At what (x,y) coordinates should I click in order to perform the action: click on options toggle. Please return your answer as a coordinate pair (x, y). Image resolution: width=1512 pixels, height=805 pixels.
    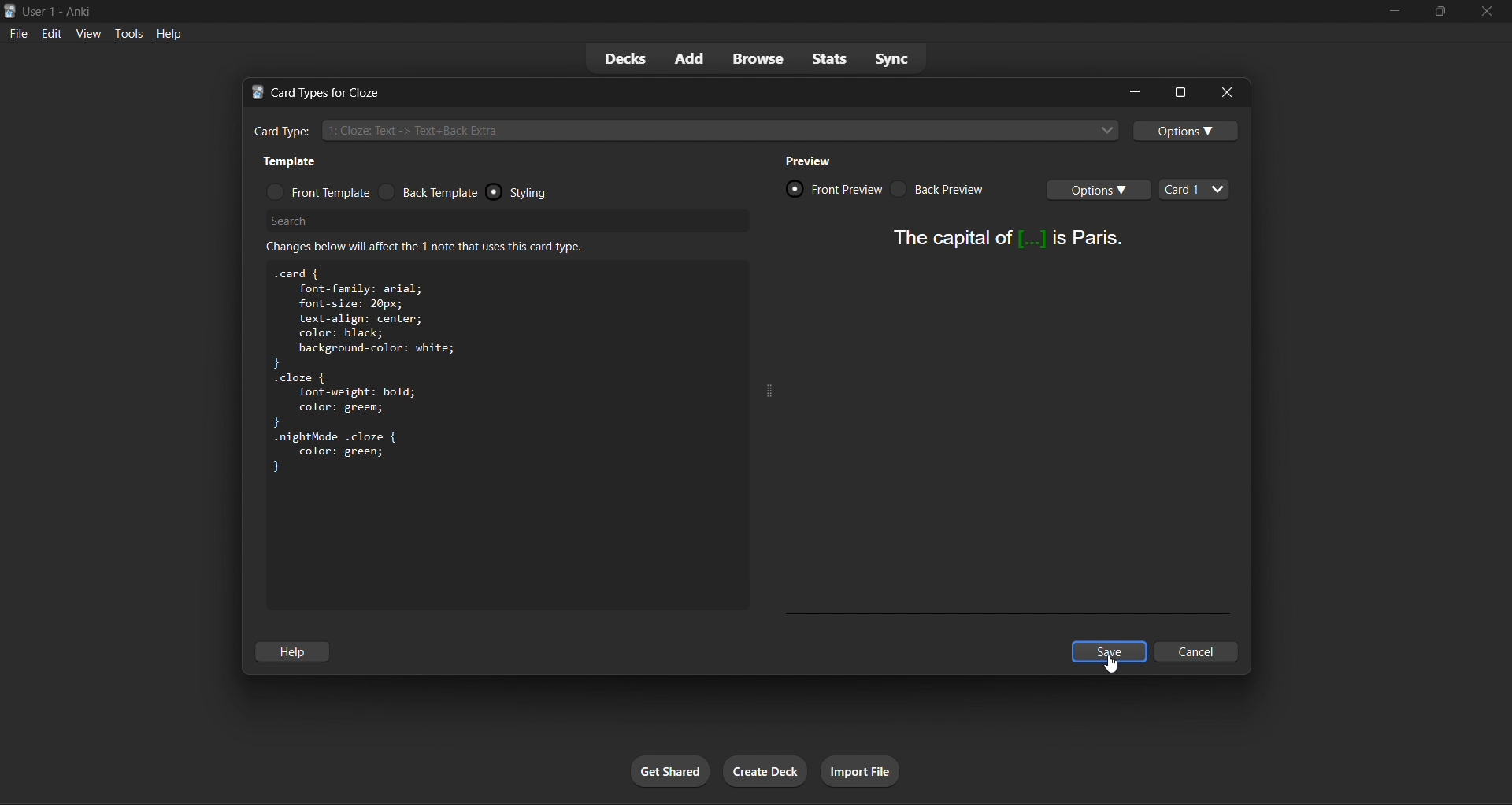
    Looking at the image, I should click on (1187, 133).